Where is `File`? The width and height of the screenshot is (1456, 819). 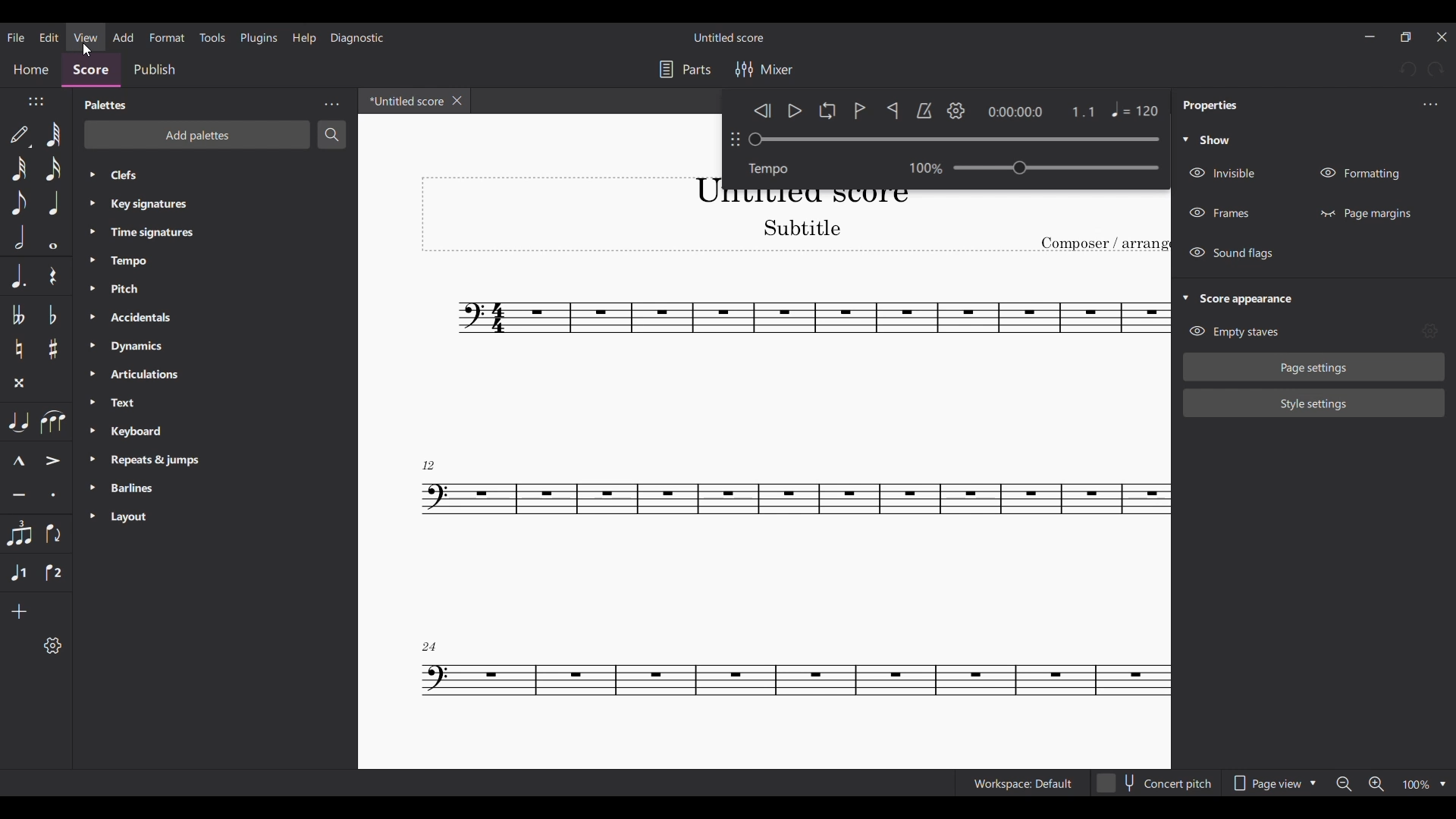
File is located at coordinates (17, 38).